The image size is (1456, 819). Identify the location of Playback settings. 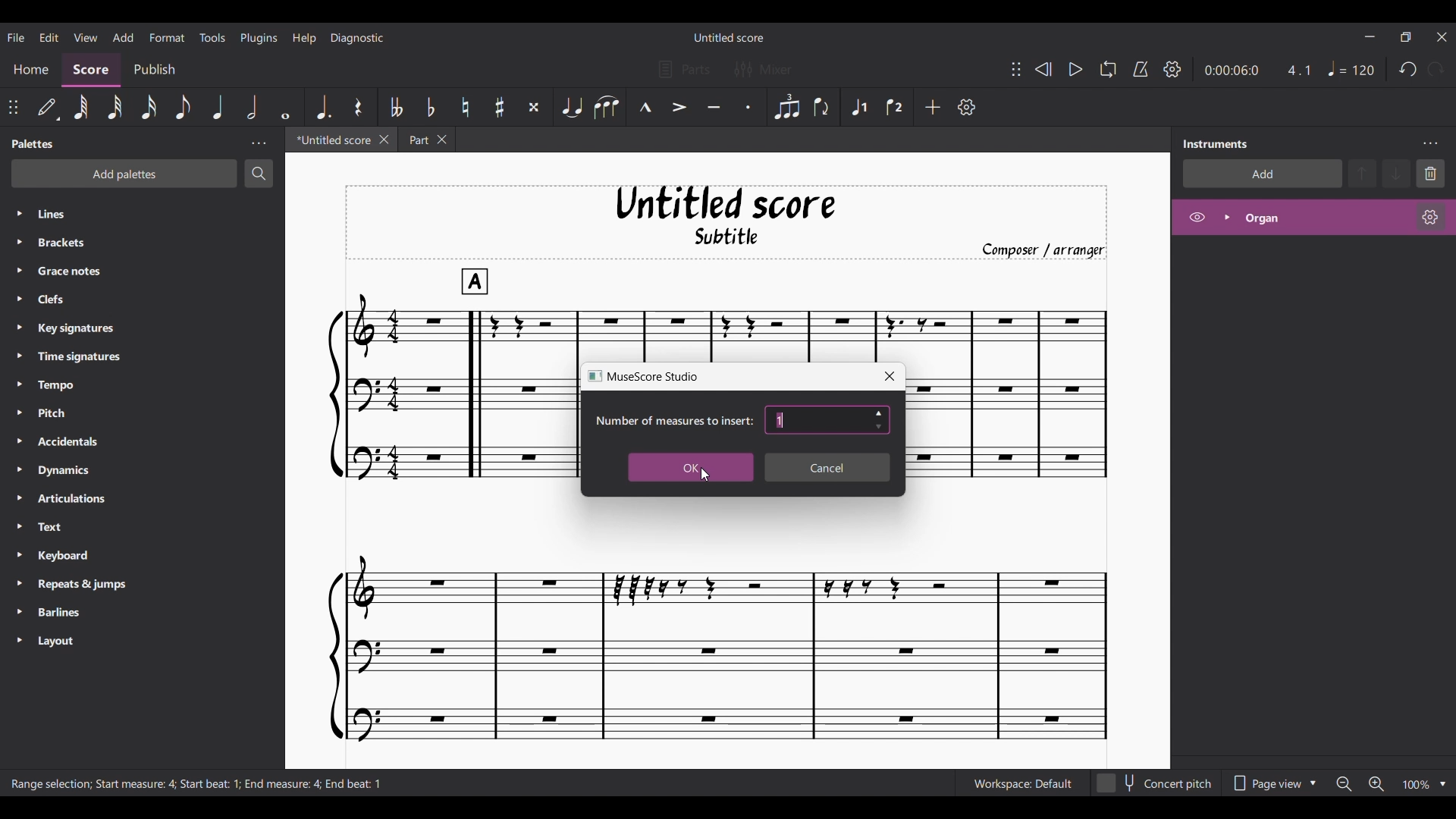
(1172, 69).